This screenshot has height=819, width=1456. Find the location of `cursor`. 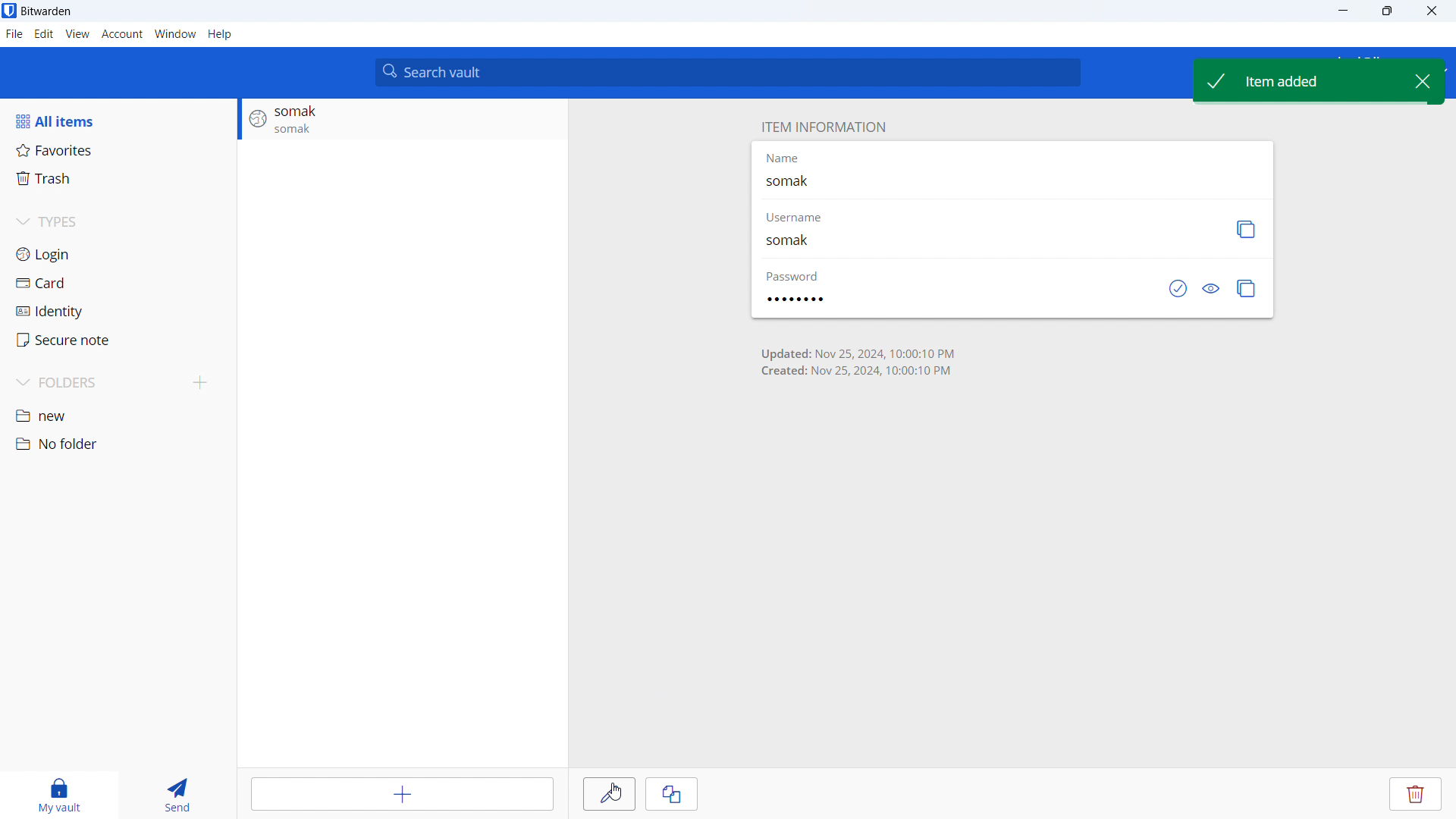

cursor is located at coordinates (616, 792).